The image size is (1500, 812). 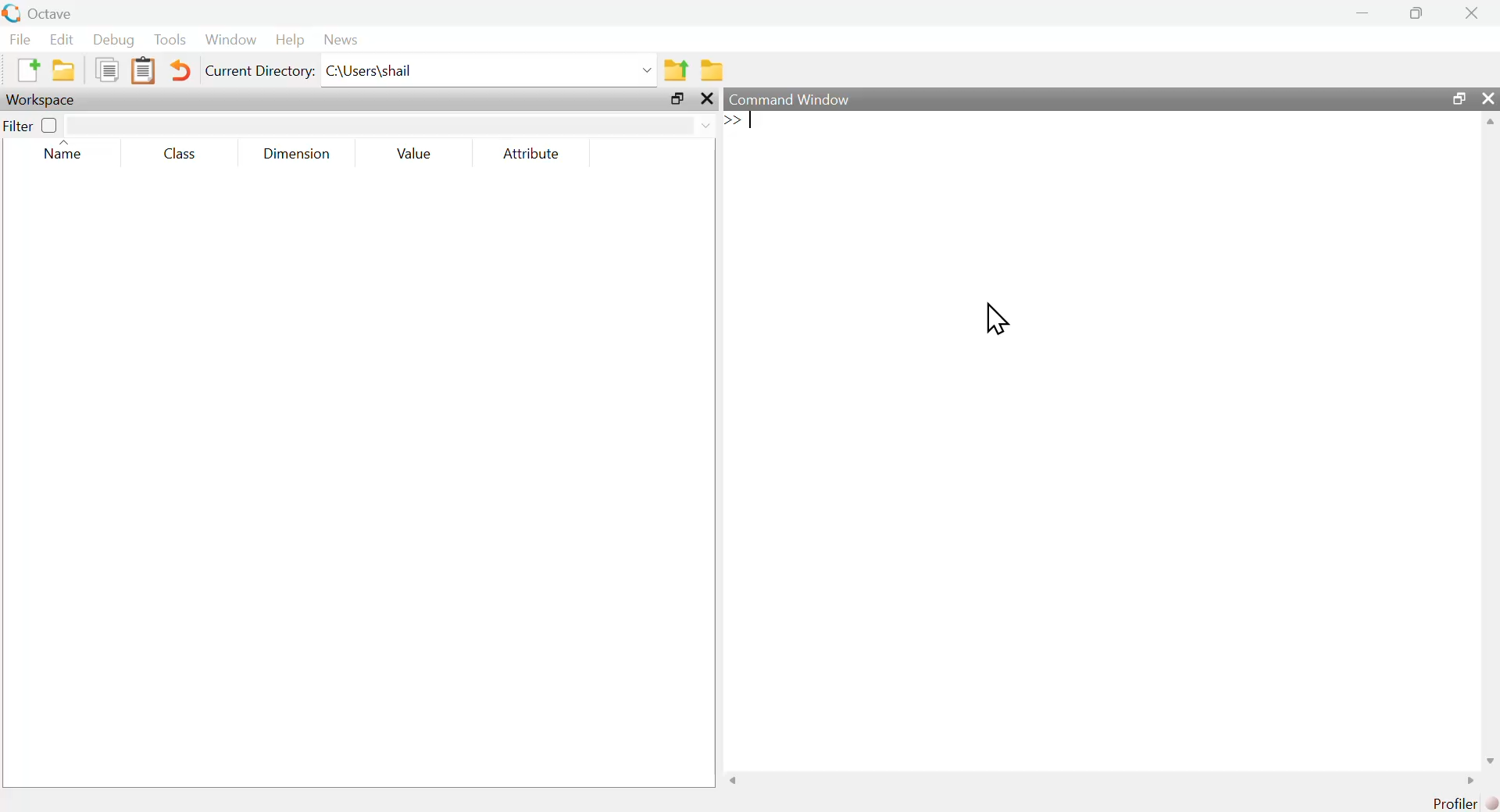 What do you see at coordinates (678, 101) in the screenshot?
I see `maximize` at bounding box center [678, 101].